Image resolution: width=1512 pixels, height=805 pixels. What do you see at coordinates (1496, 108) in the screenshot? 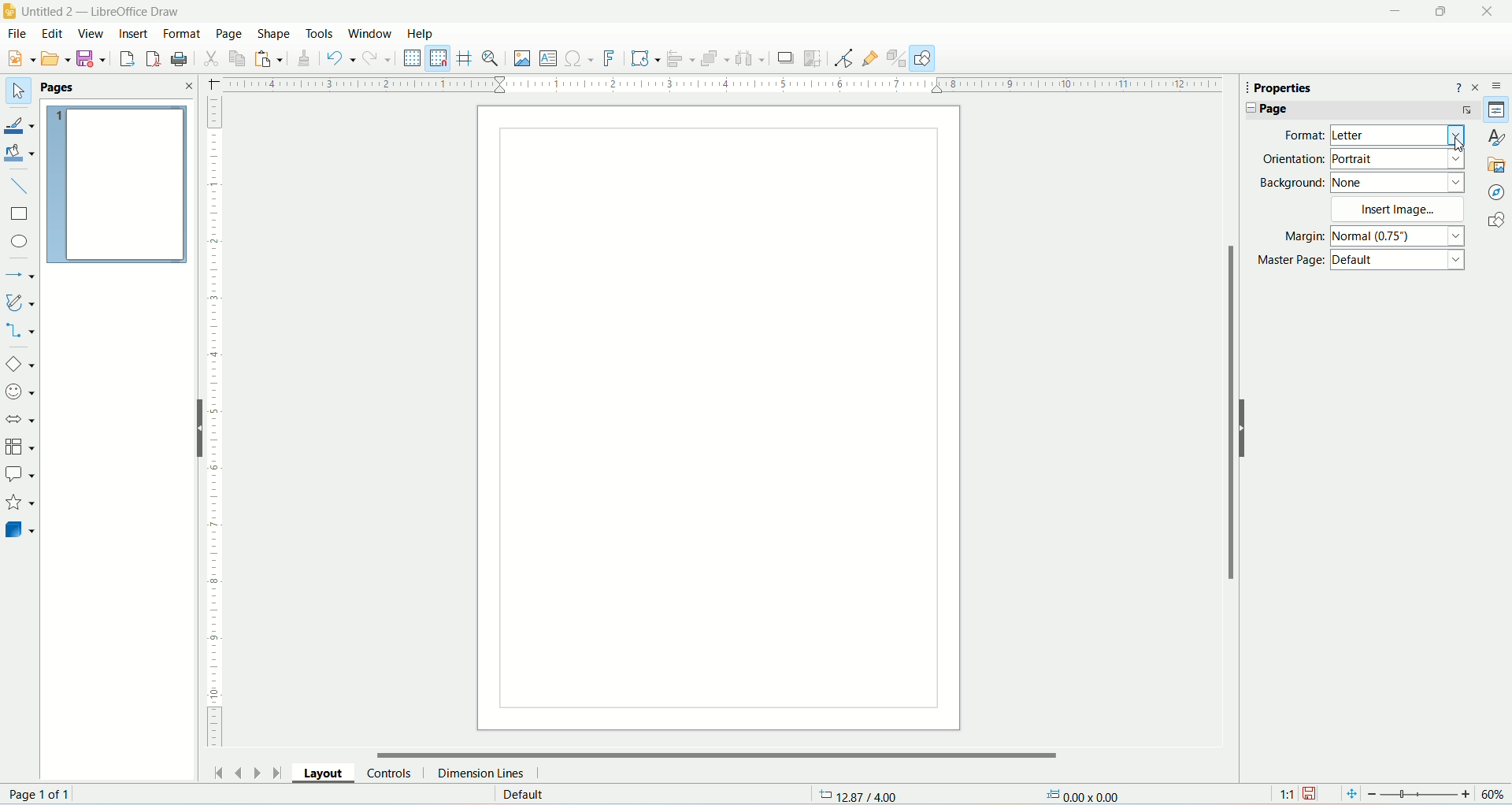
I see `properties` at bounding box center [1496, 108].